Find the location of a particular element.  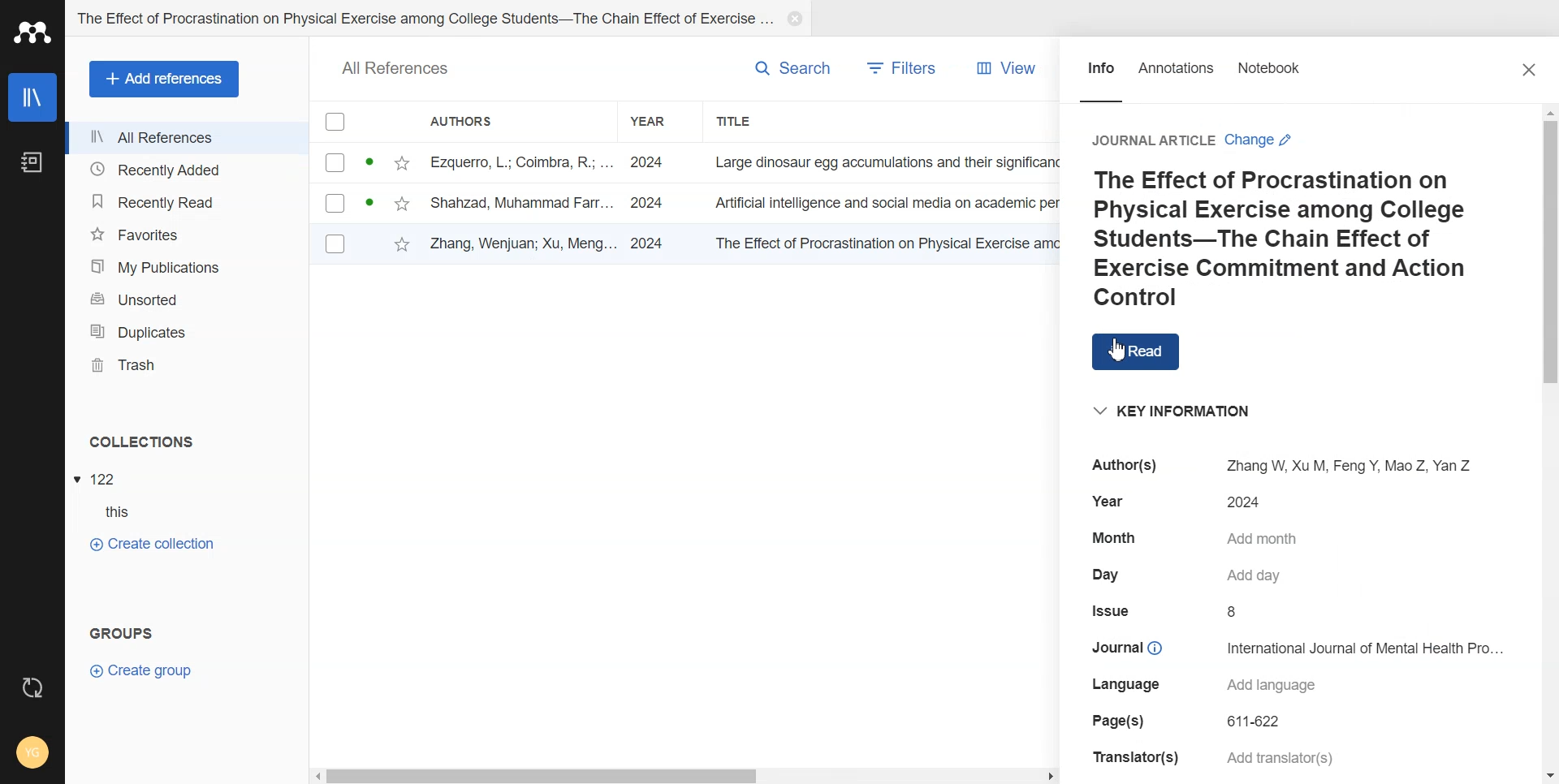

Recently Added is located at coordinates (188, 170).